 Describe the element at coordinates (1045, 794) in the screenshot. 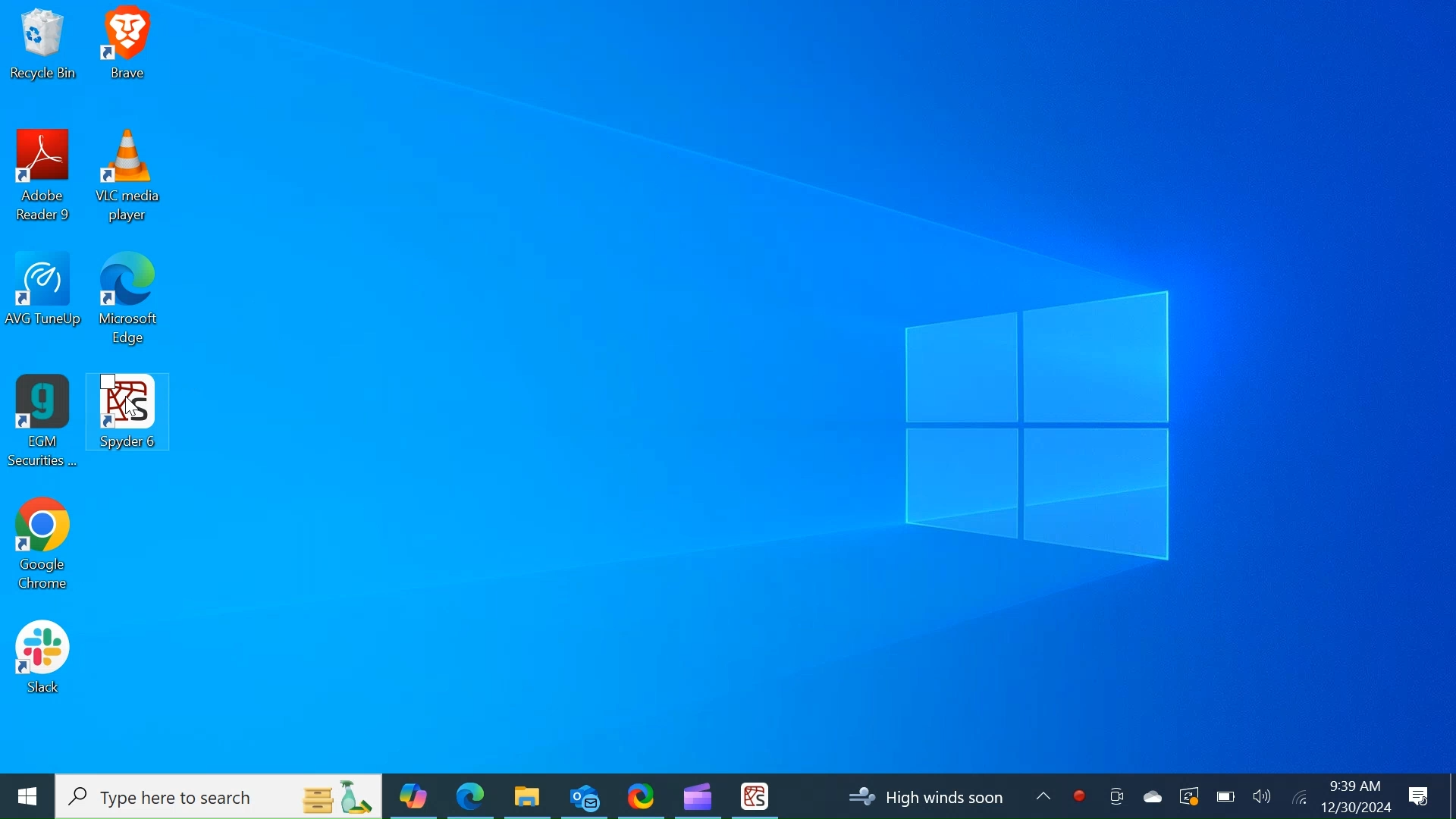

I see `show hidden icon` at that location.